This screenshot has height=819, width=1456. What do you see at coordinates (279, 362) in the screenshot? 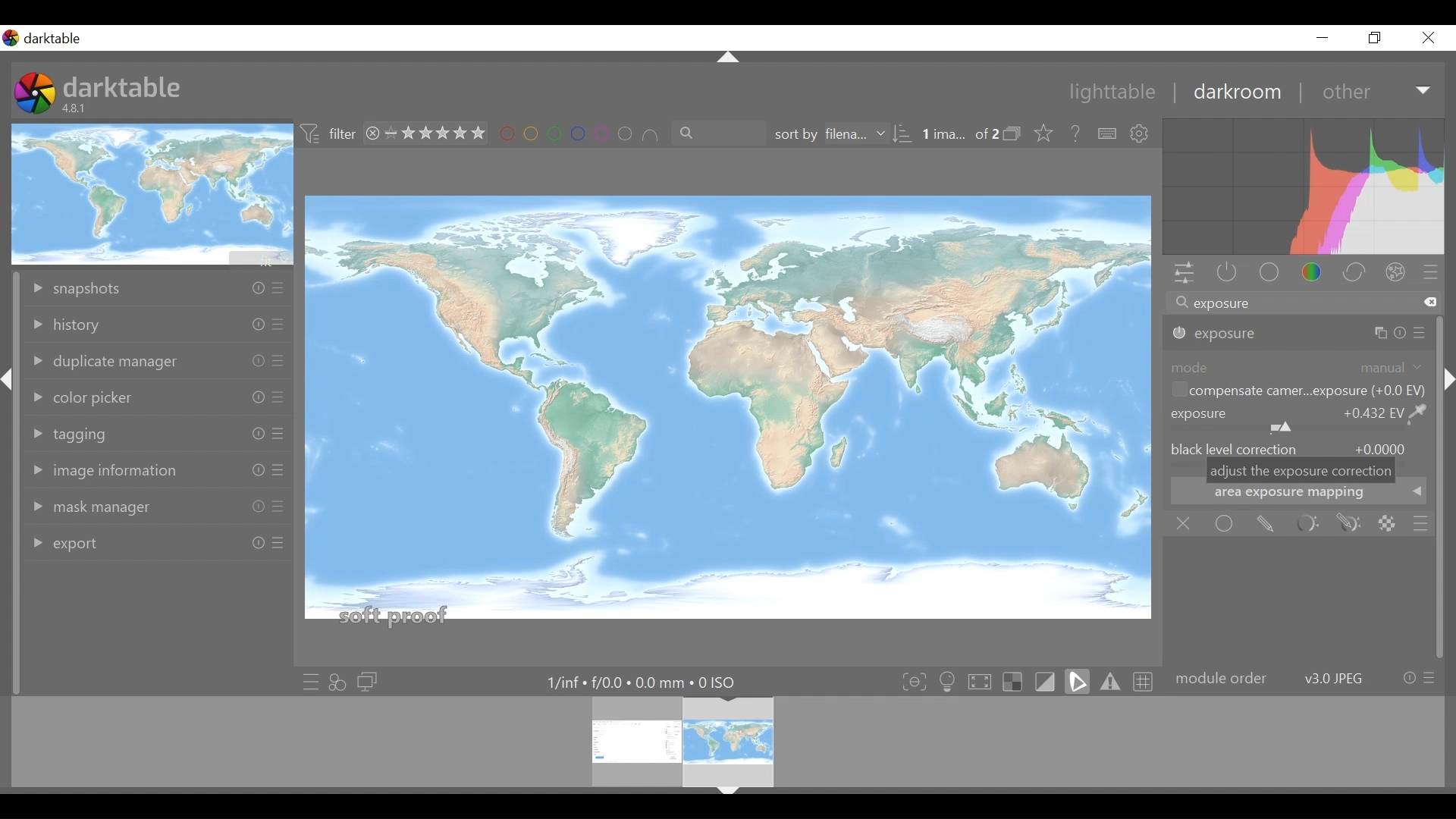
I see `` at bounding box center [279, 362].